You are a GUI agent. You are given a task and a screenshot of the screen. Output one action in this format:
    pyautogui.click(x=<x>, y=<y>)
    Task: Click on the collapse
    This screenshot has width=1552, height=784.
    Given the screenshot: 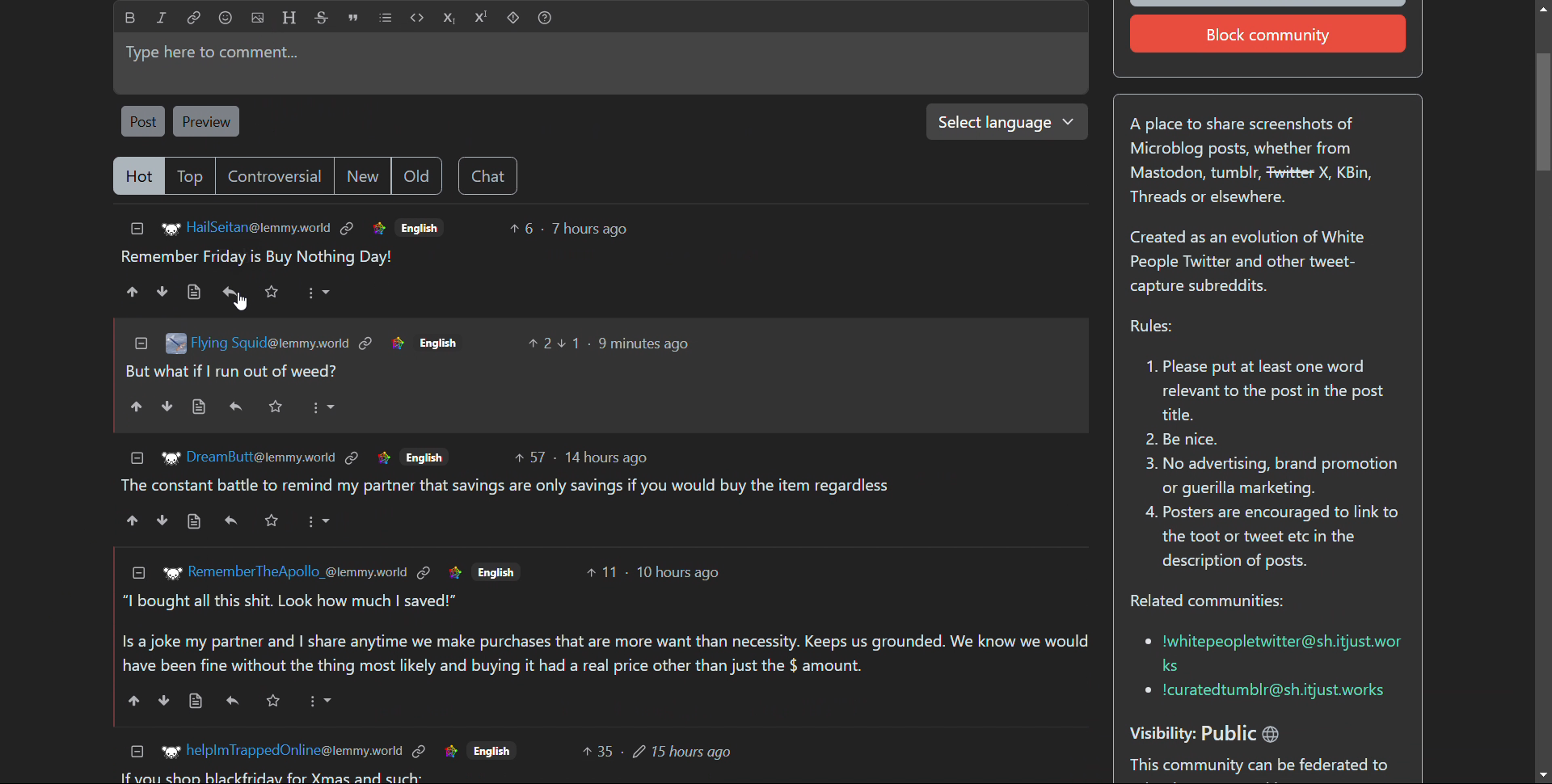 What is the action you would take?
    pyautogui.click(x=137, y=457)
    